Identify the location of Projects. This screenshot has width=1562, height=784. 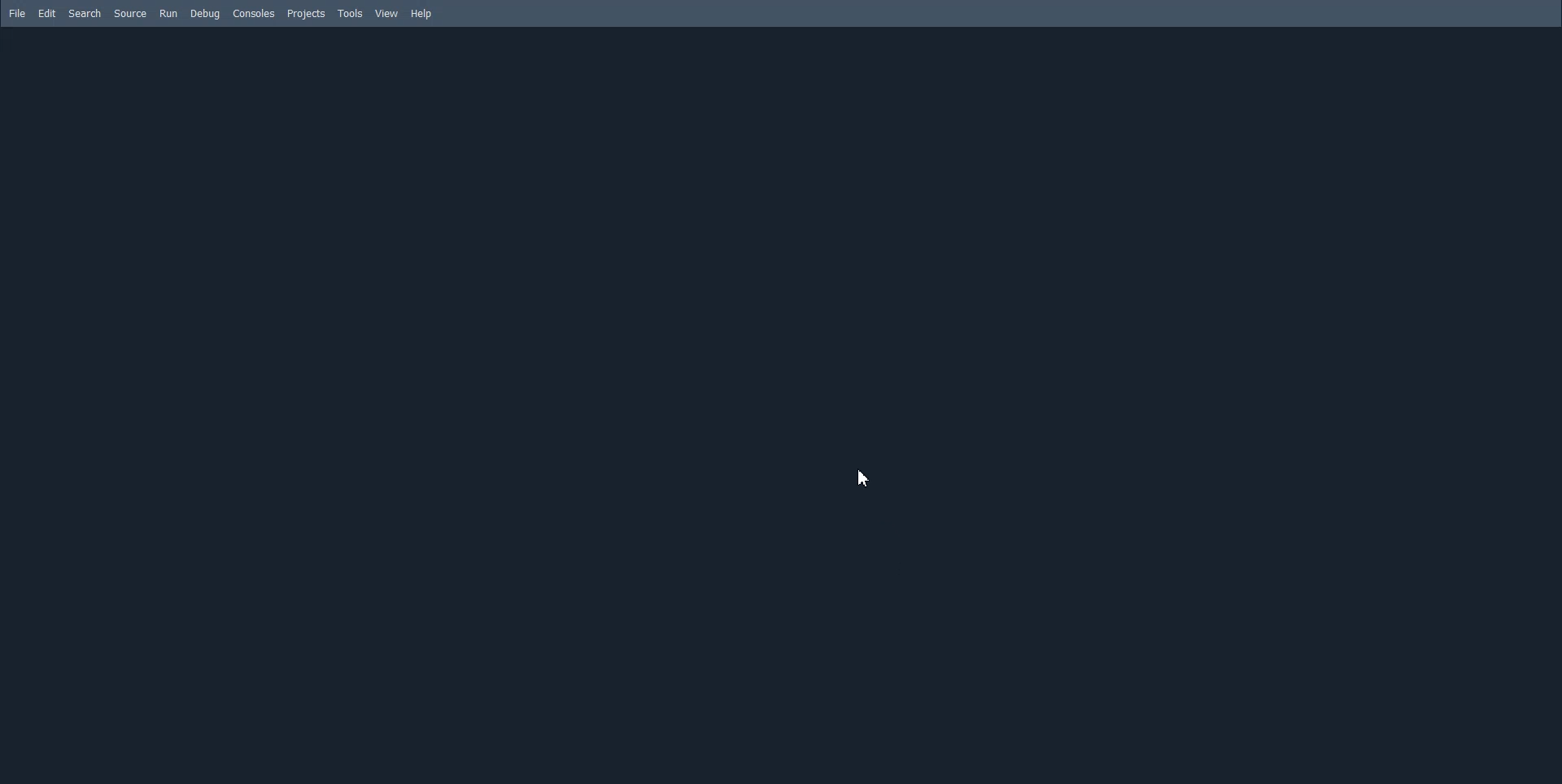
(308, 15).